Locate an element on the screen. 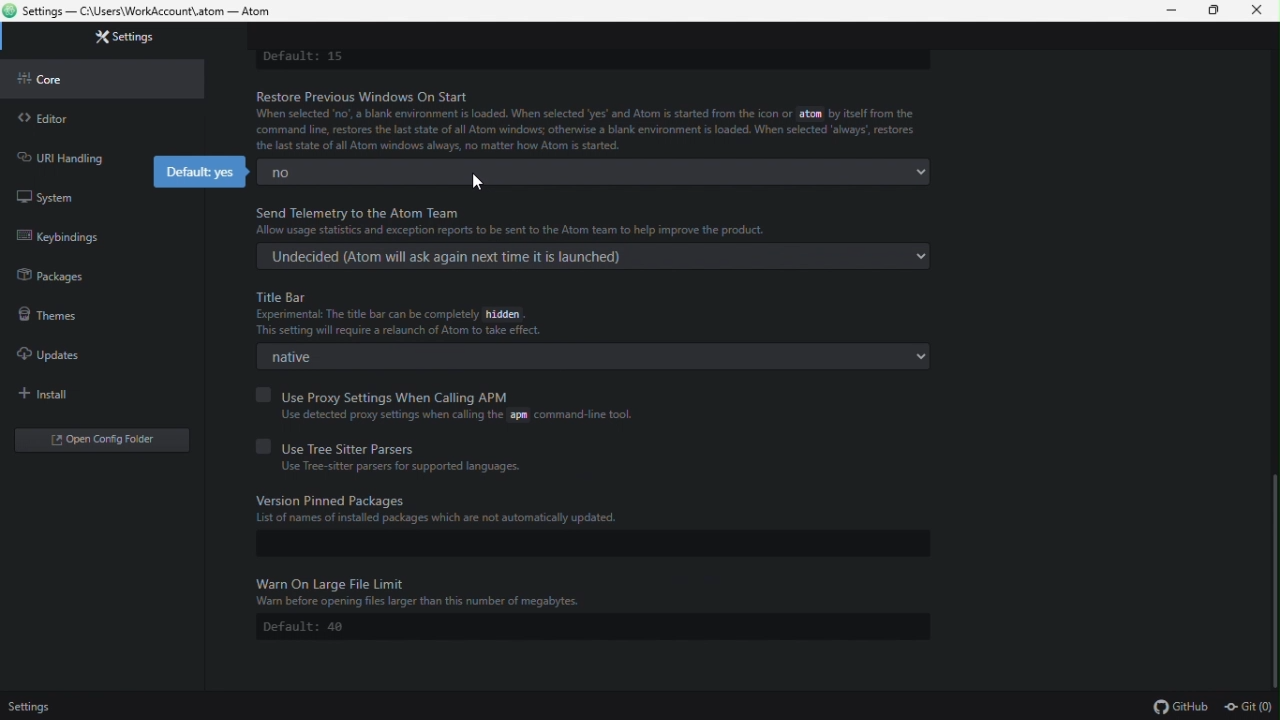 The width and height of the screenshot is (1280, 720). Use Proxy Settings When Calling APM is located at coordinates (384, 392).